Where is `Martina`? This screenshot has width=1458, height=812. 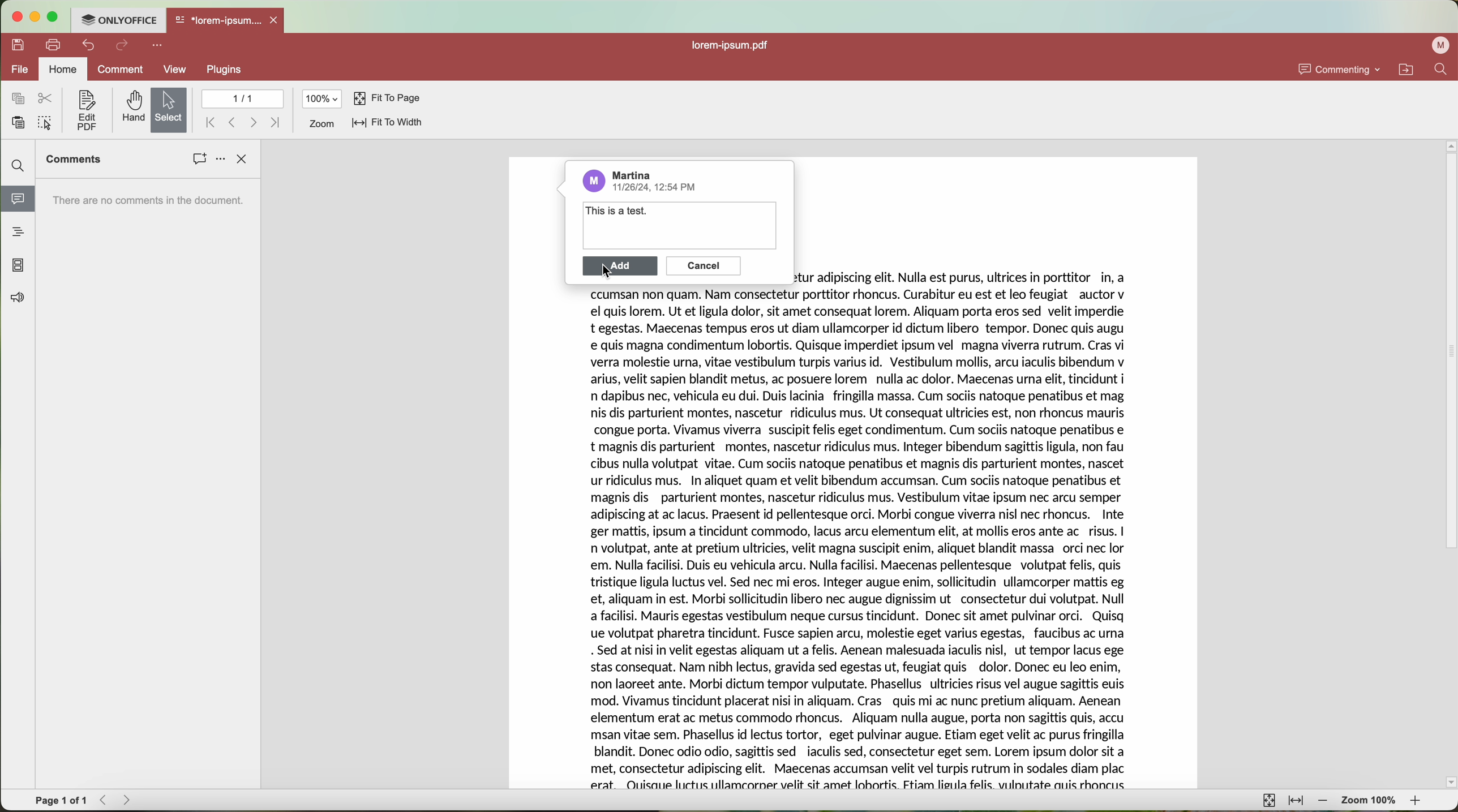 Martina is located at coordinates (632, 174).